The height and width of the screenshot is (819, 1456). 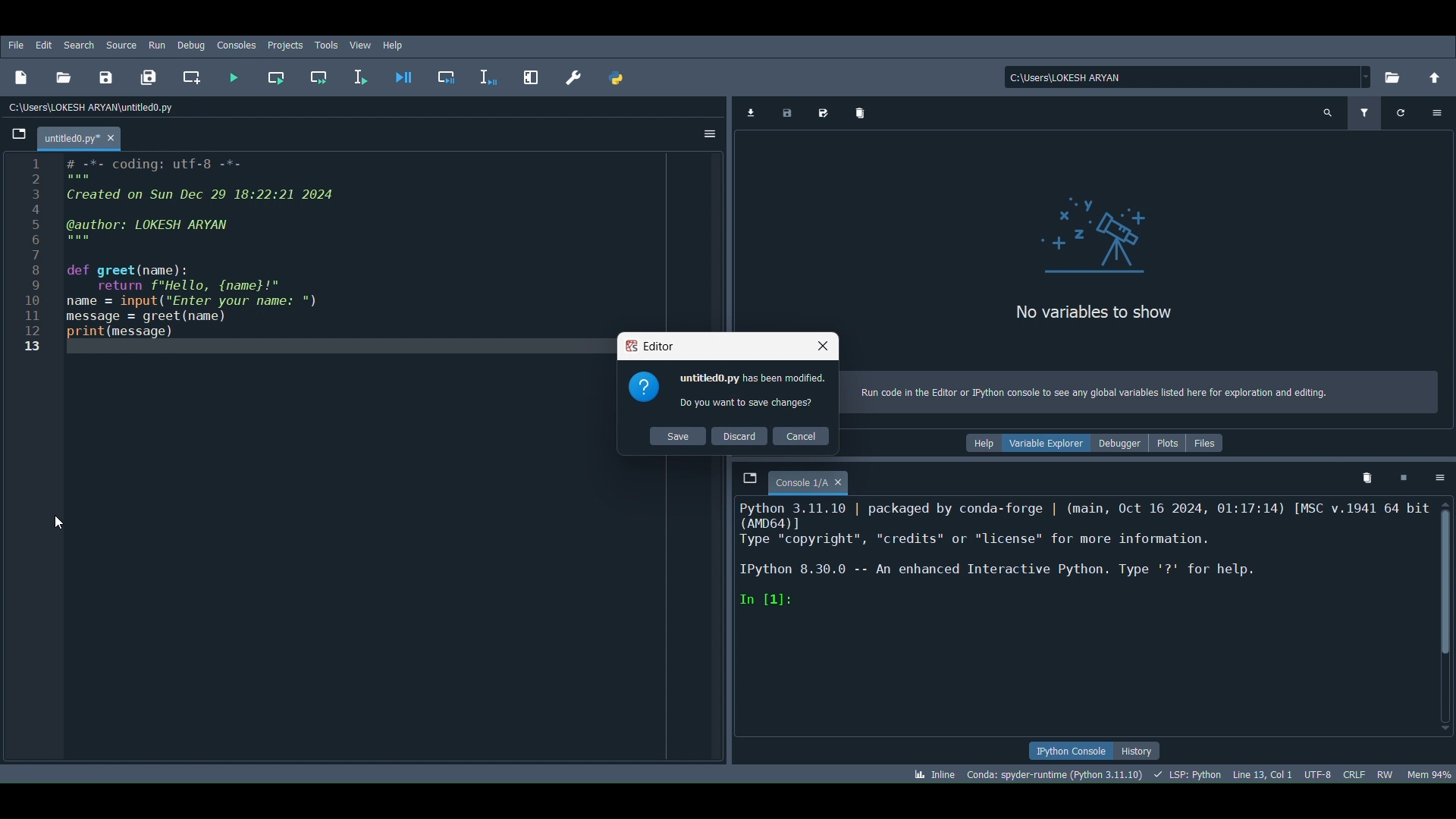 What do you see at coordinates (1209, 444) in the screenshot?
I see `Files` at bounding box center [1209, 444].